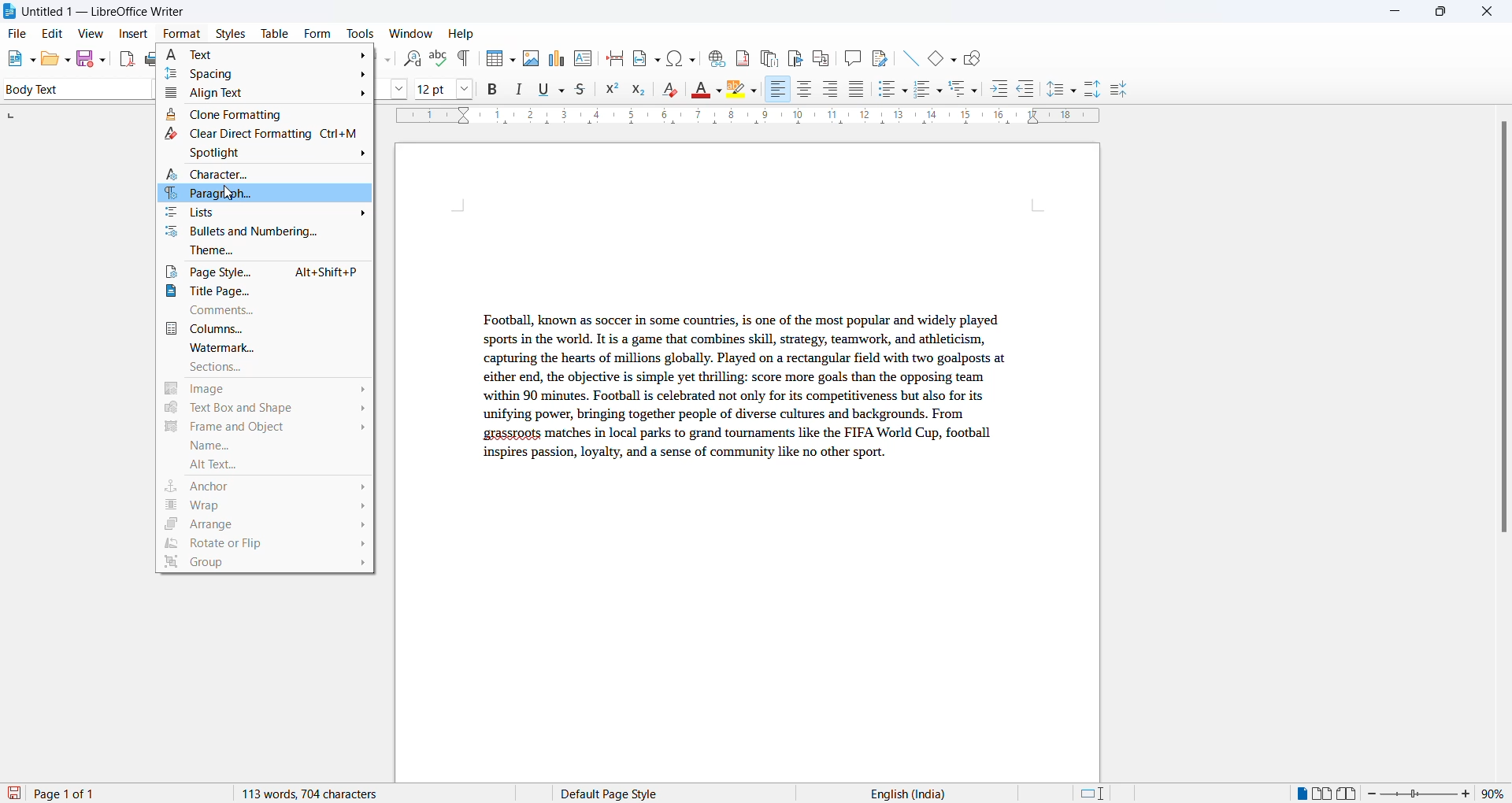  I want to click on styles, so click(230, 32).